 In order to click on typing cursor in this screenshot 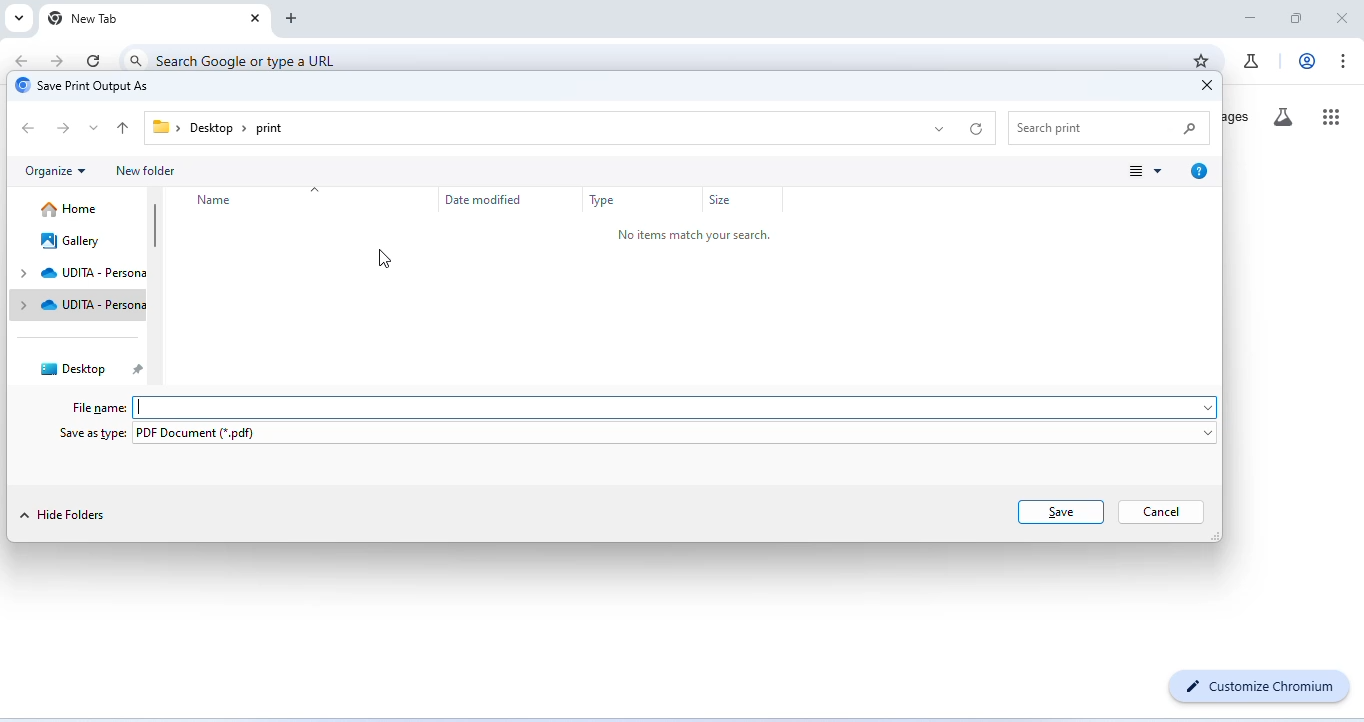, I will do `click(143, 407)`.